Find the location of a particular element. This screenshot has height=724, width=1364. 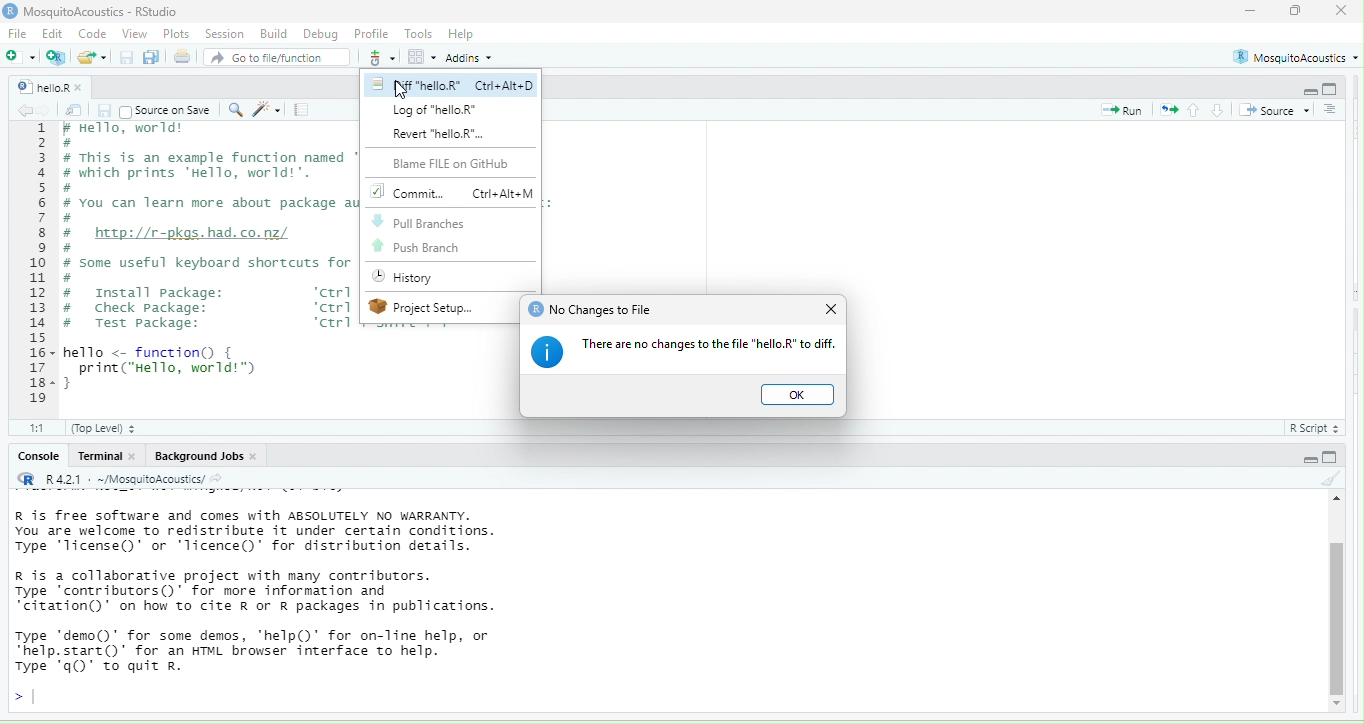

r studio logo is located at coordinates (533, 310).